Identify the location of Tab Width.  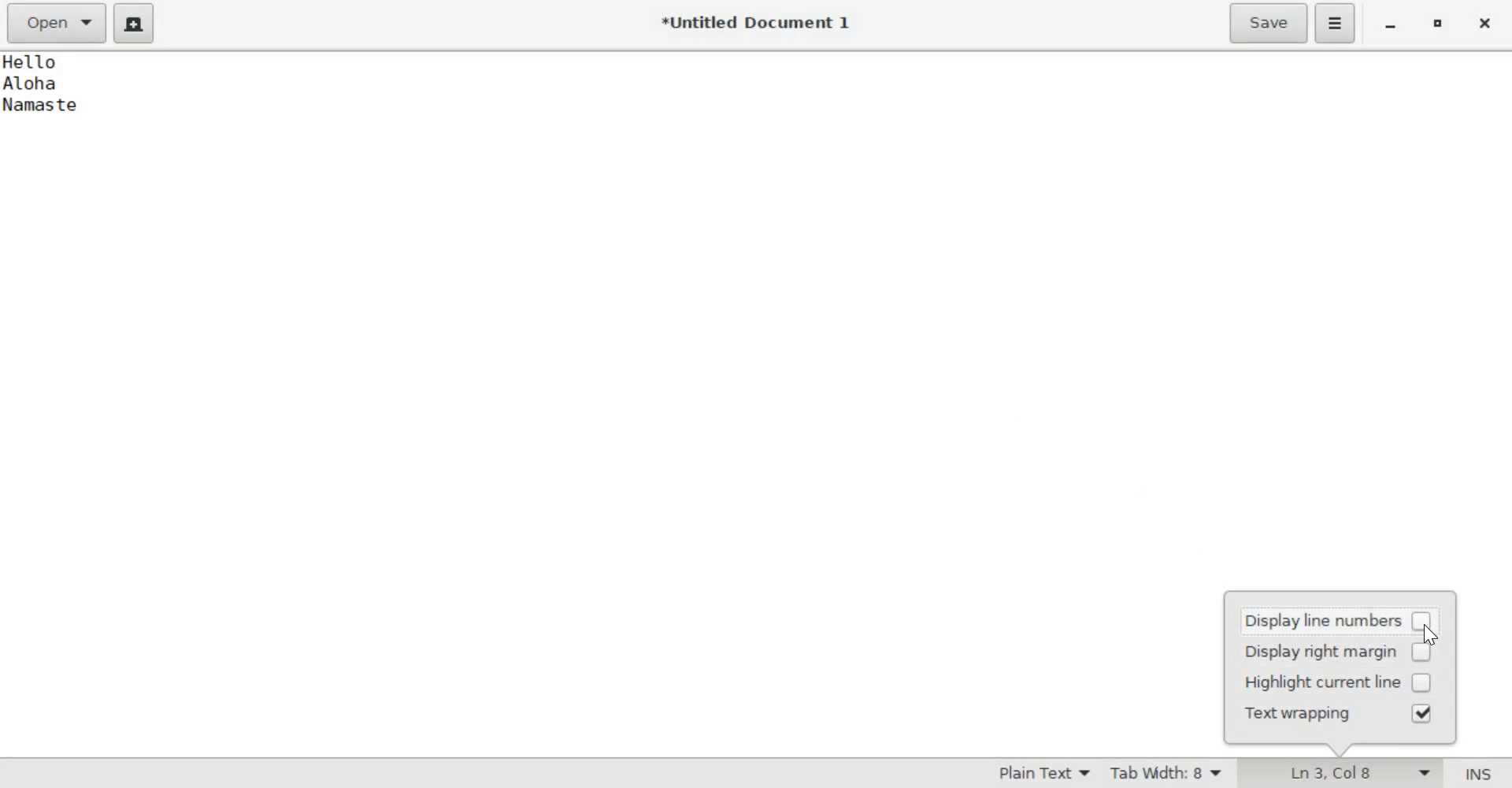
(1169, 773).